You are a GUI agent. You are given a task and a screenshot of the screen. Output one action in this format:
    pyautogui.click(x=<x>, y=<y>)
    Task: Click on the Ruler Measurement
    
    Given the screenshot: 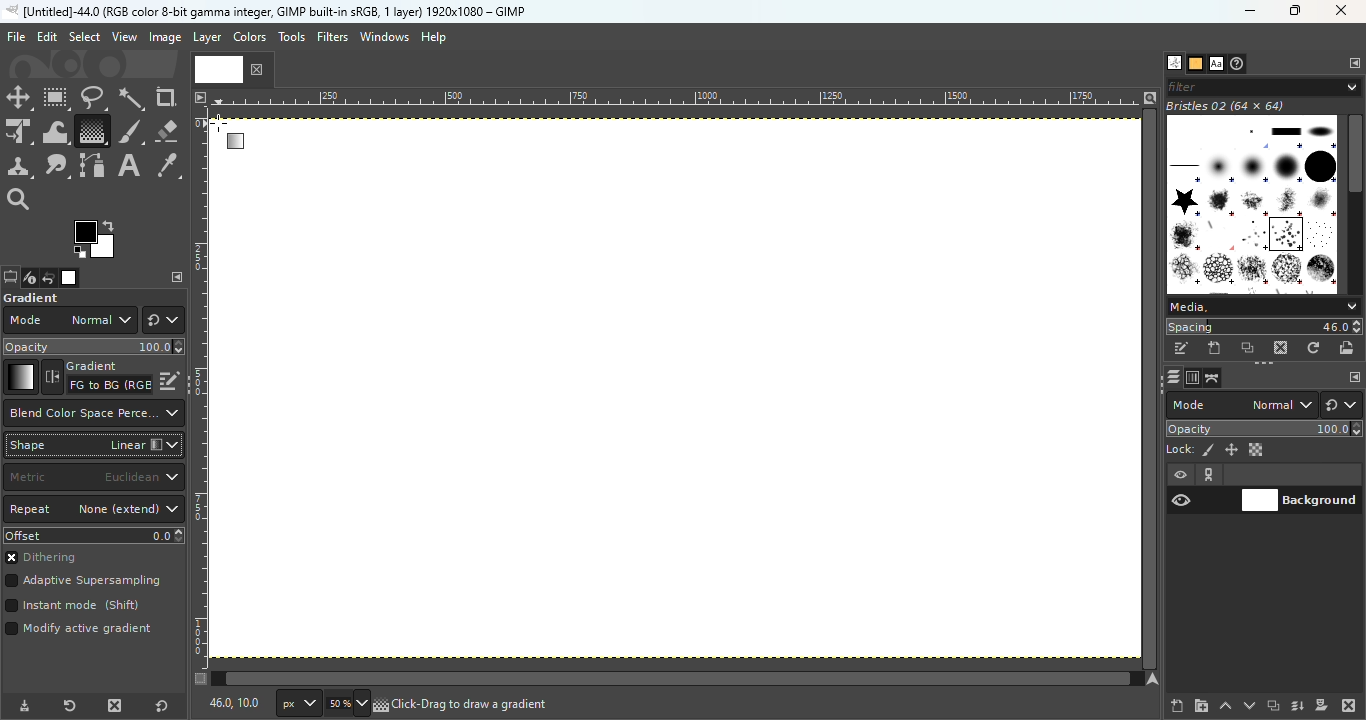 What is the action you would take?
    pyautogui.click(x=677, y=97)
    